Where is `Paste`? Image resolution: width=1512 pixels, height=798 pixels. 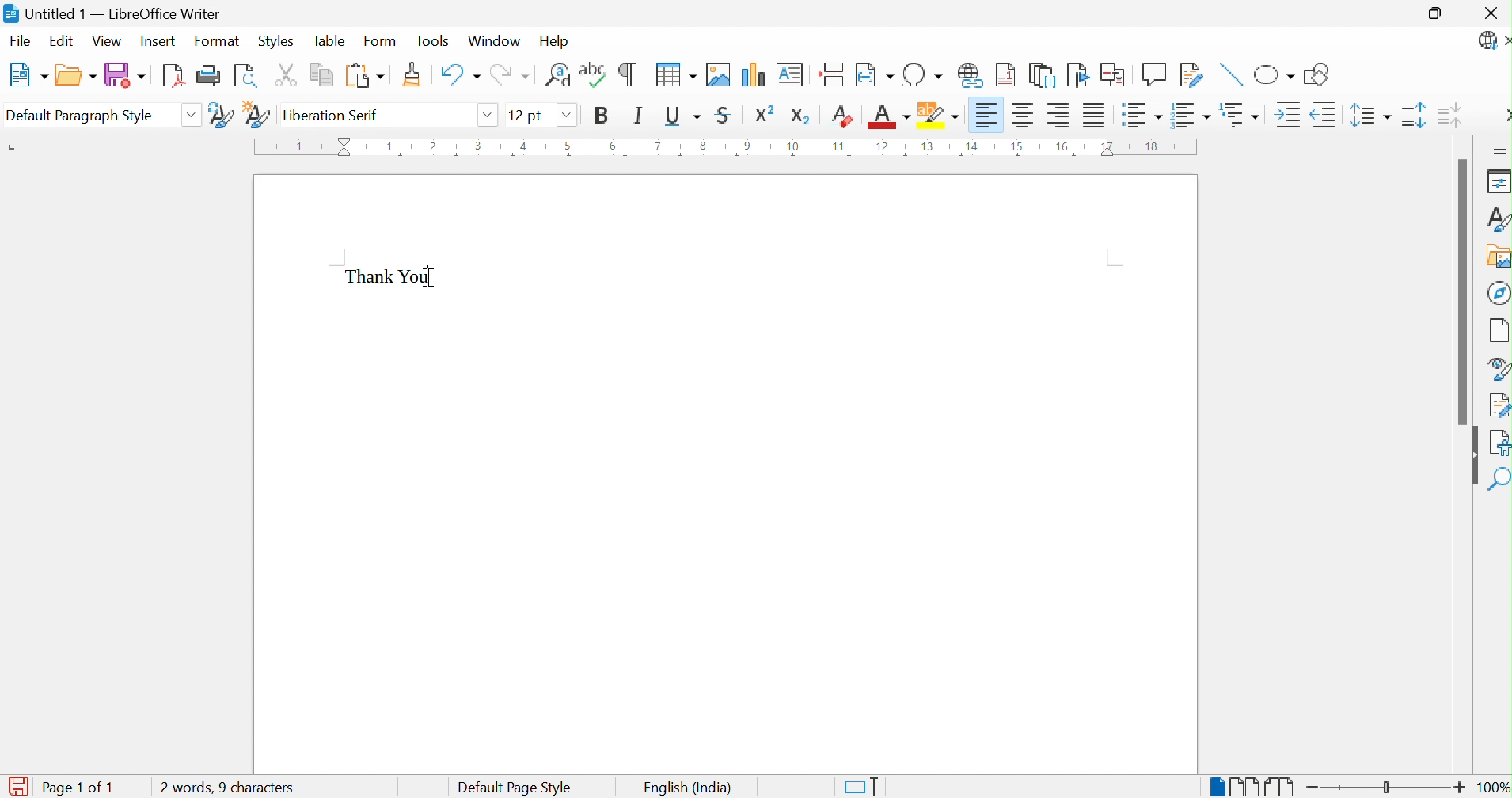 Paste is located at coordinates (365, 76).